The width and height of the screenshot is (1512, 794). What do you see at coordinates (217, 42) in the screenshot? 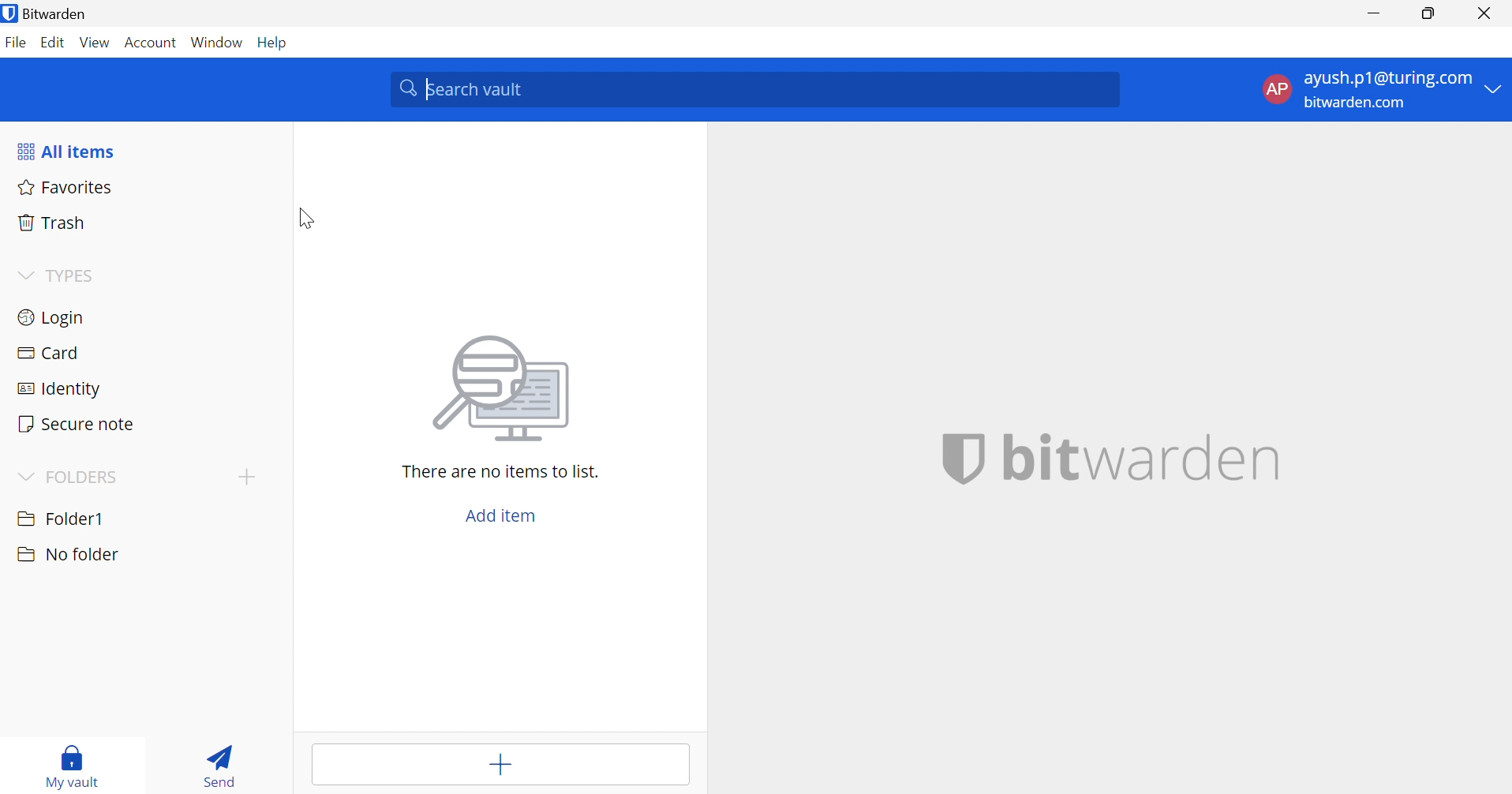
I see `Window` at bounding box center [217, 42].